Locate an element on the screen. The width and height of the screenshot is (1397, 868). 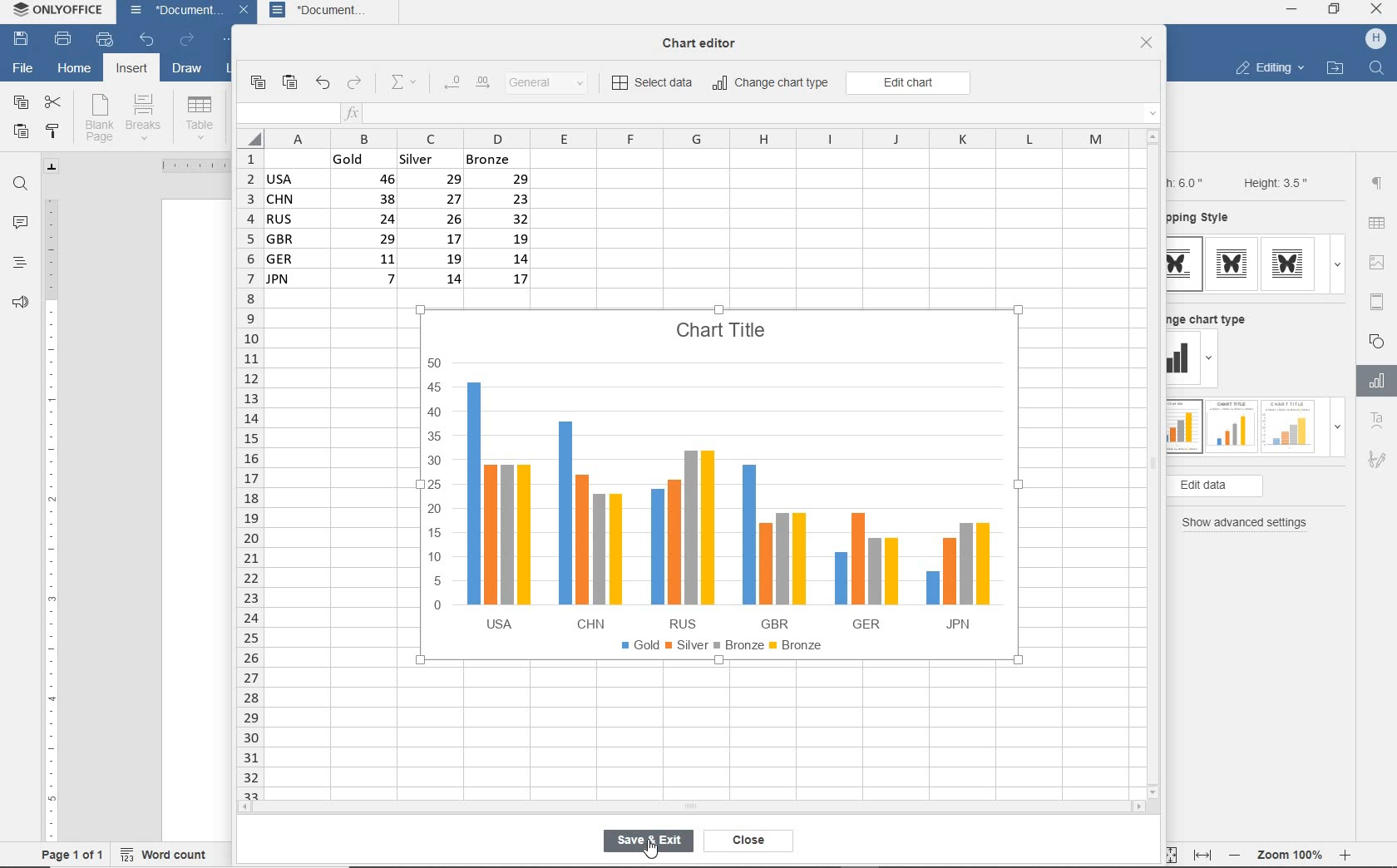
close is located at coordinates (246, 12).